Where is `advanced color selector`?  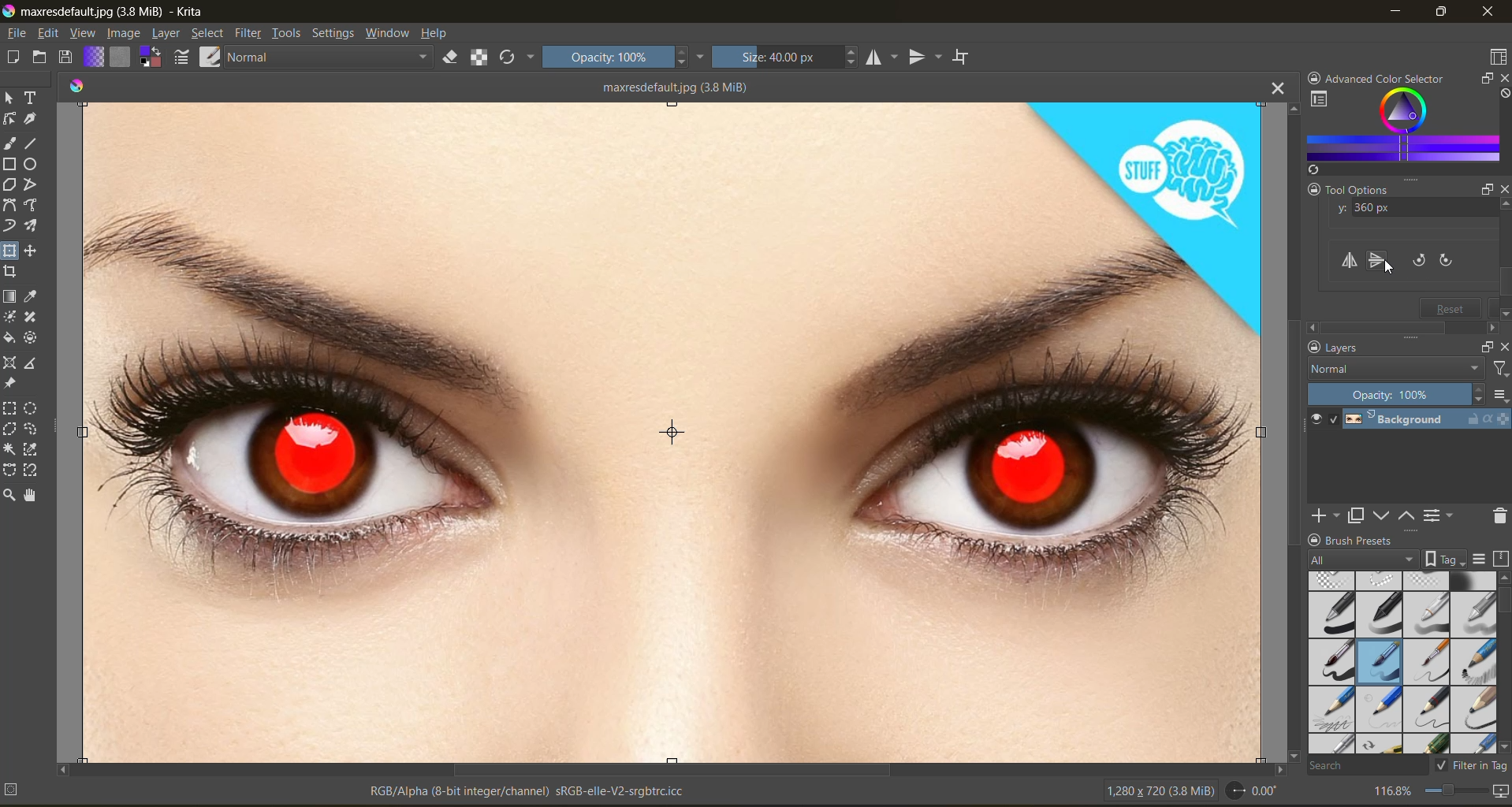 advanced color selector is located at coordinates (1402, 127).